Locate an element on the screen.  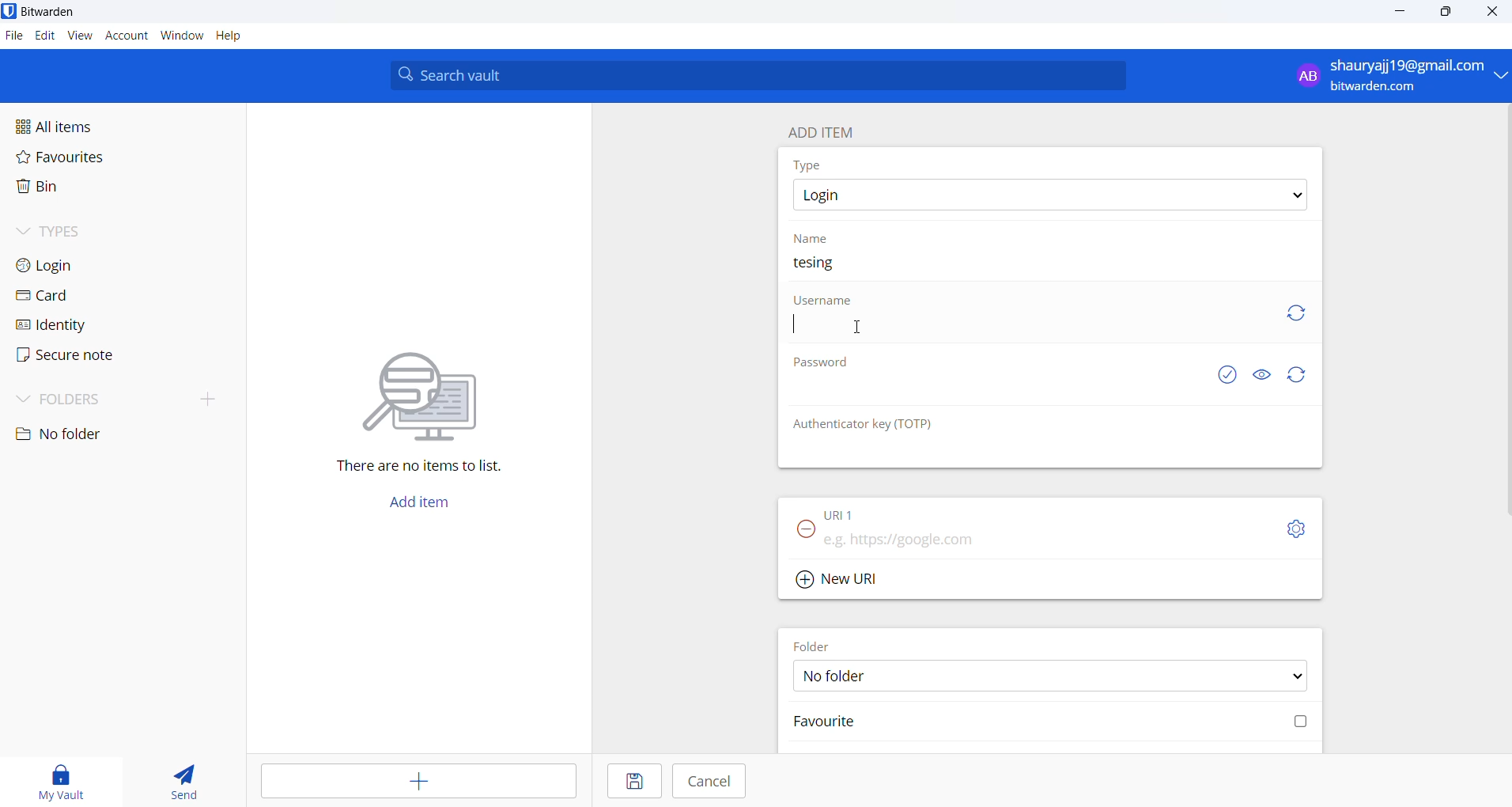
show and hide is located at coordinates (1262, 374).